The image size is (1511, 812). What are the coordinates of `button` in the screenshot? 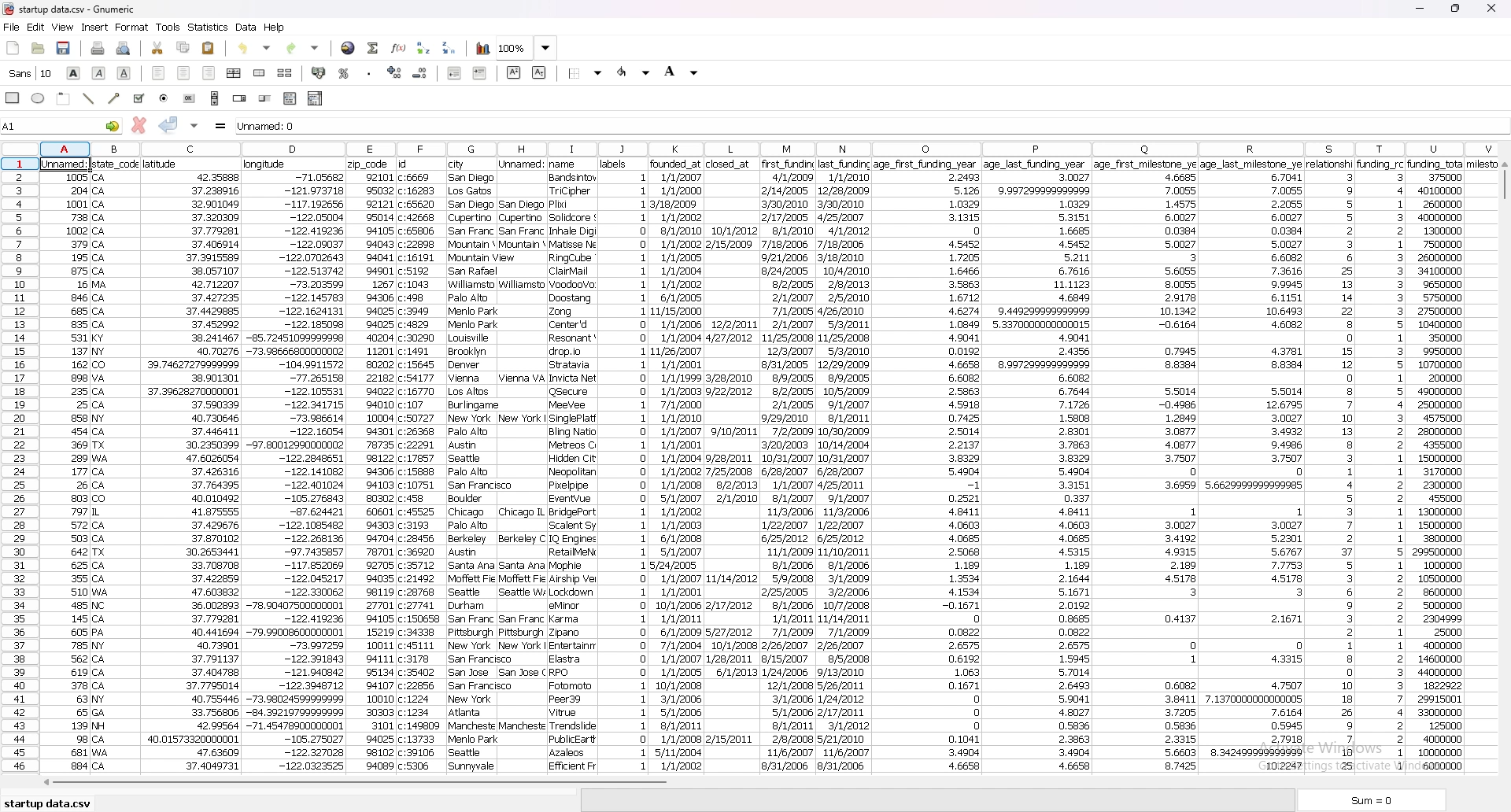 It's located at (190, 99).